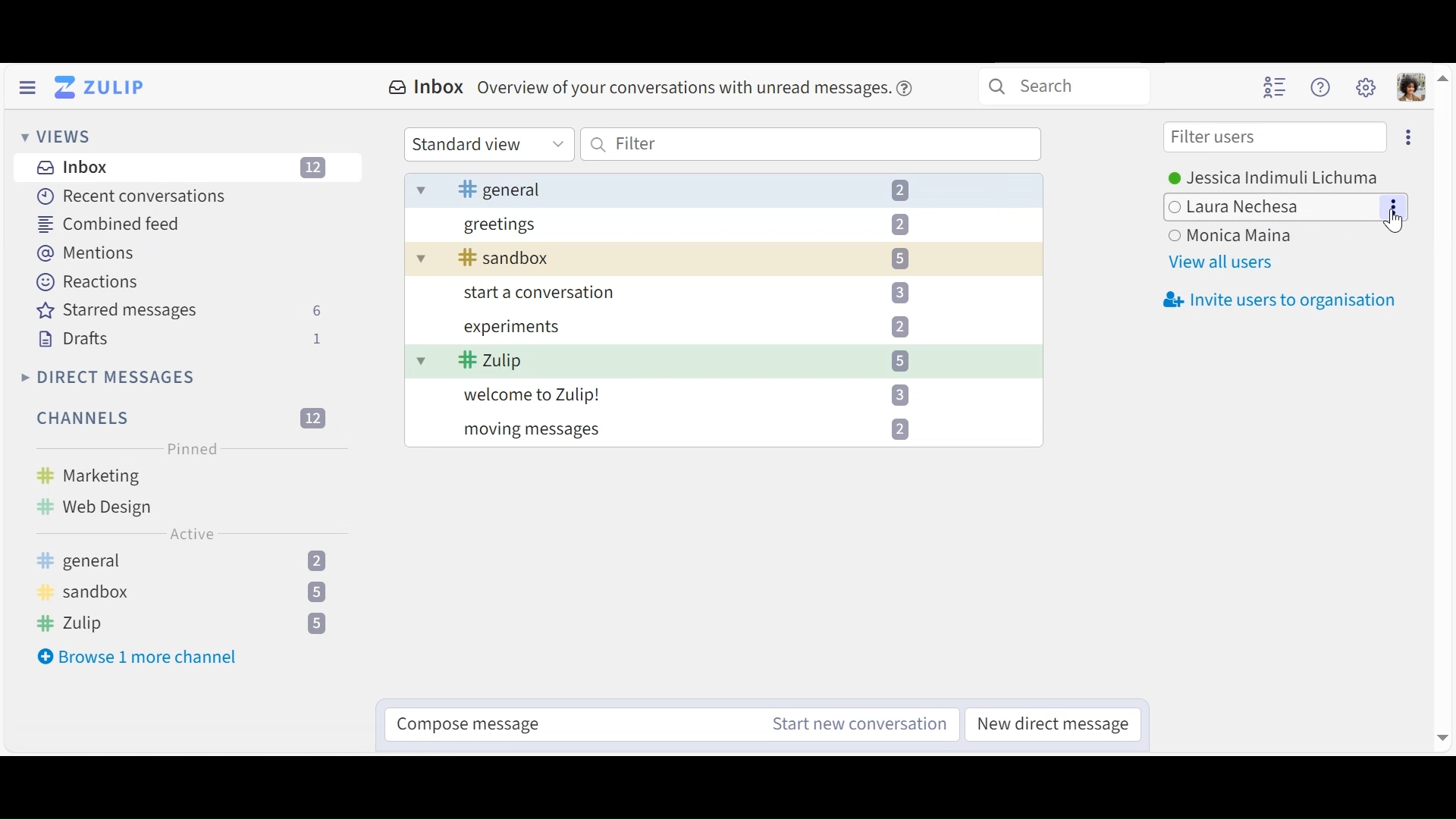 Image resolution: width=1456 pixels, height=819 pixels. Describe the element at coordinates (88, 253) in the screenshot. I see `Mentions` at that location.